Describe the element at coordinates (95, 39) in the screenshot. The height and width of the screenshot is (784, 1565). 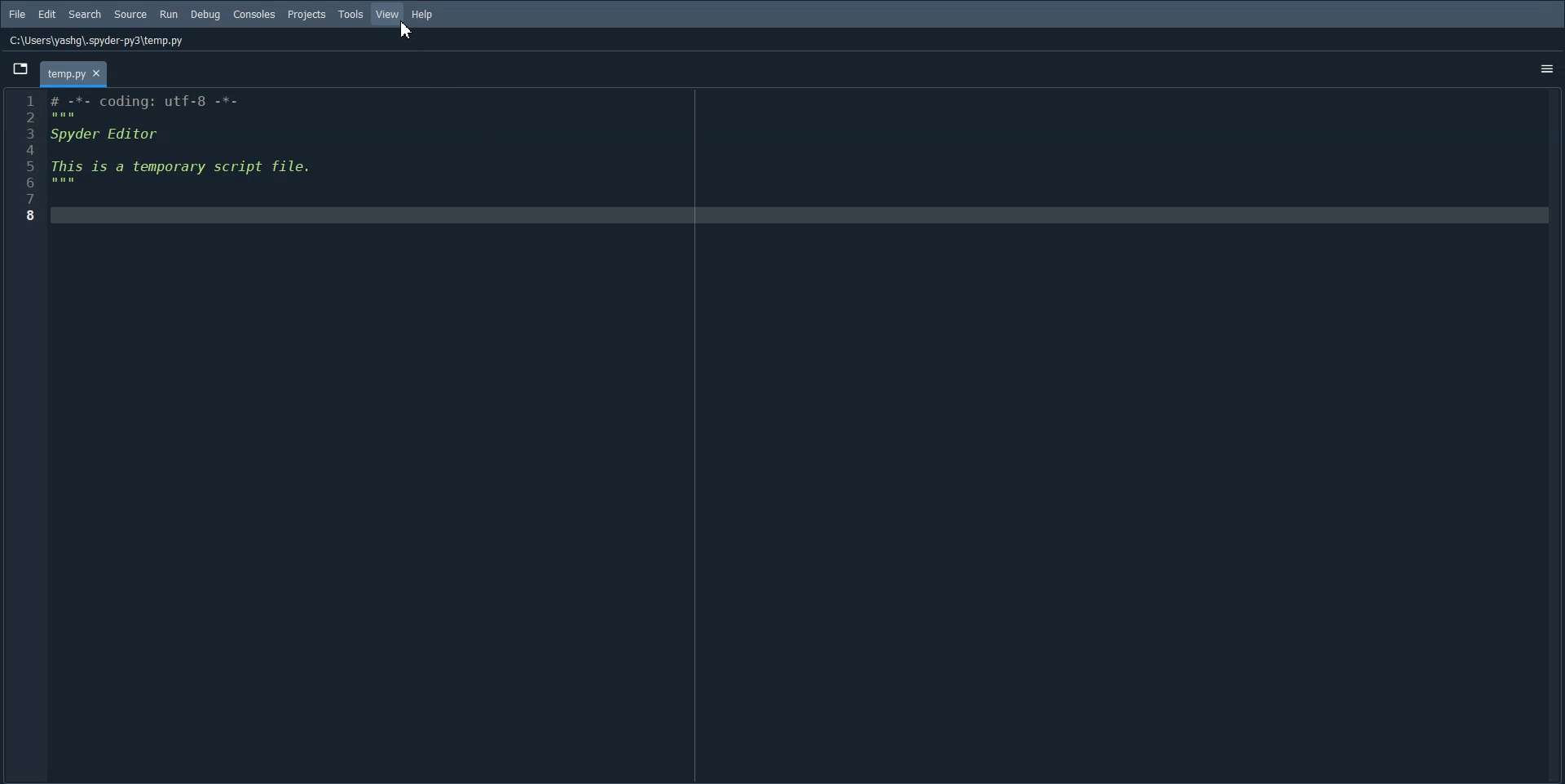
I see `C:\Users\yashg\.spyder-py3\temp.py` at that location.